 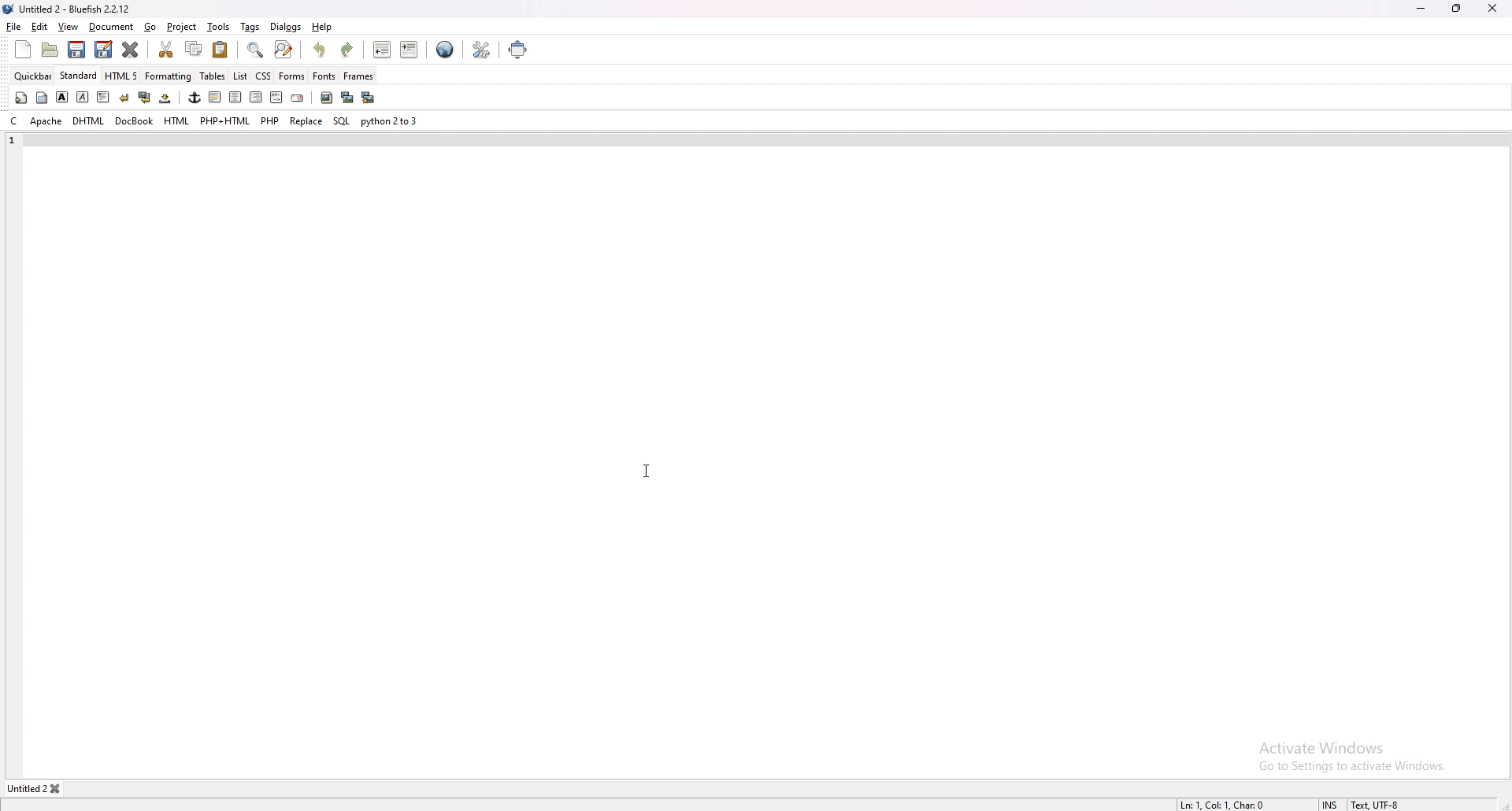 I want to click on break, so click(x=124, y=98).